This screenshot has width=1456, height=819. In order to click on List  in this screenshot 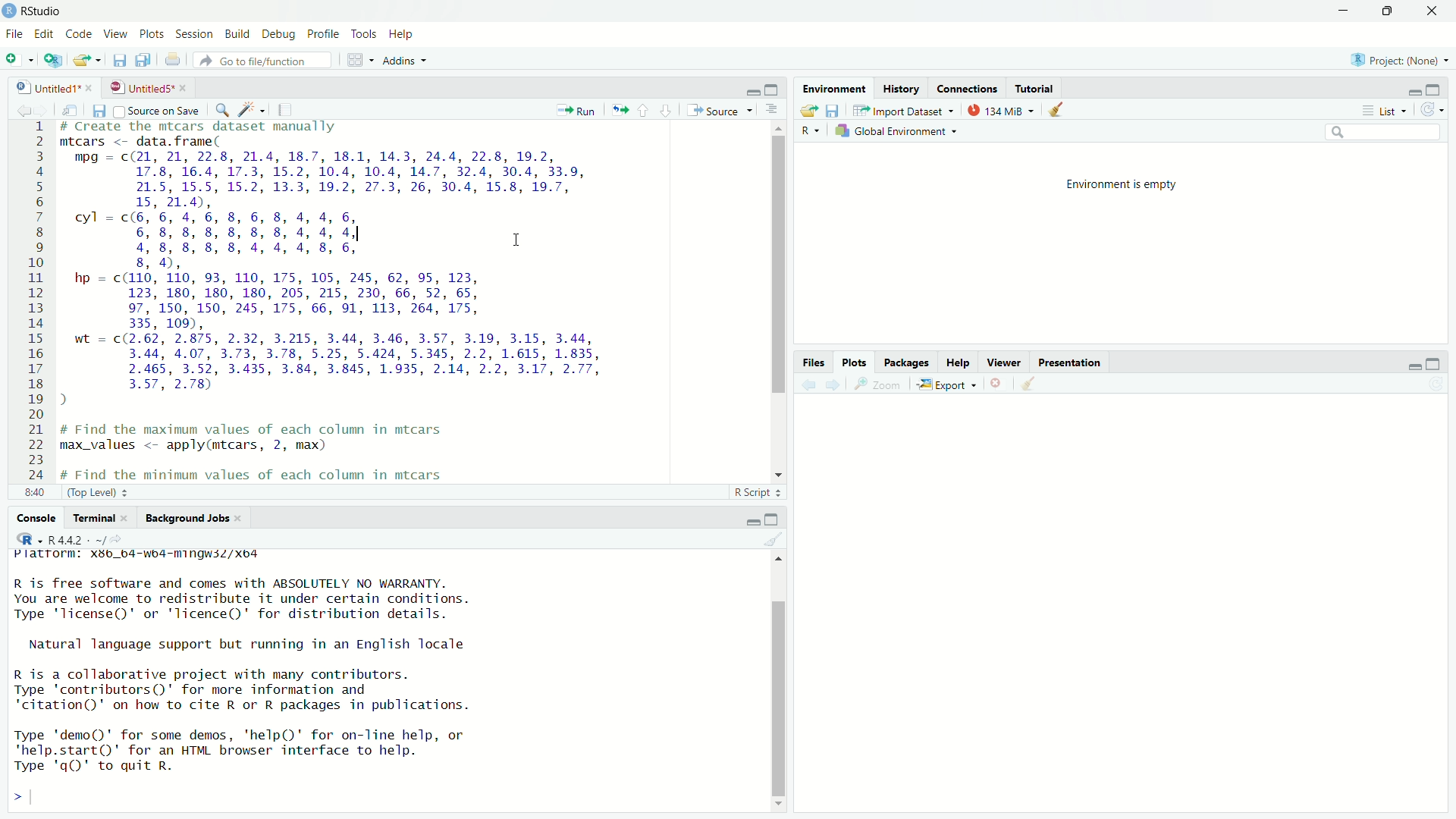, I will do `click(1383, 109)`.